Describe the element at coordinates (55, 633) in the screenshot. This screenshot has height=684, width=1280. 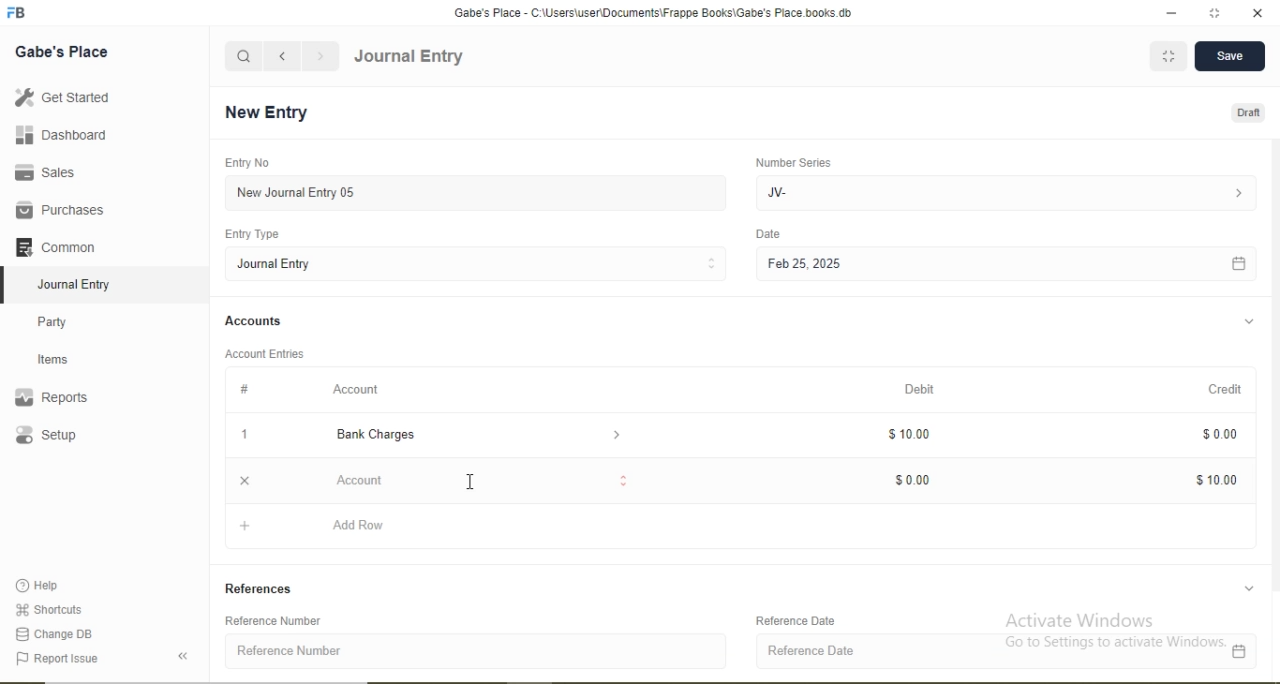
I see `Change DB` at that location.